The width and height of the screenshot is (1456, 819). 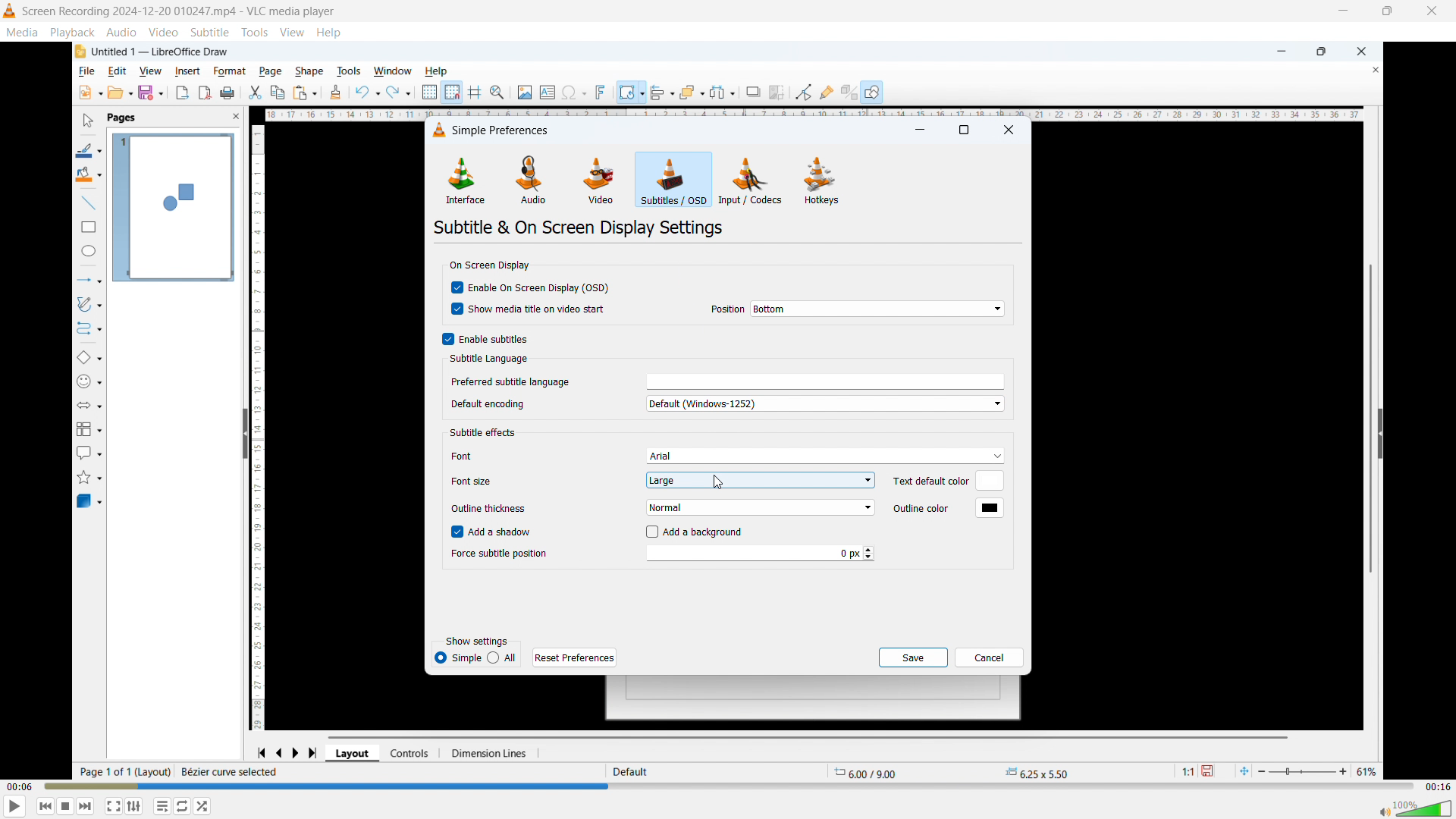 What do you see at coordinates (202, 806) in the screenshot?
I see `random ` at bounding box center [202, 806].